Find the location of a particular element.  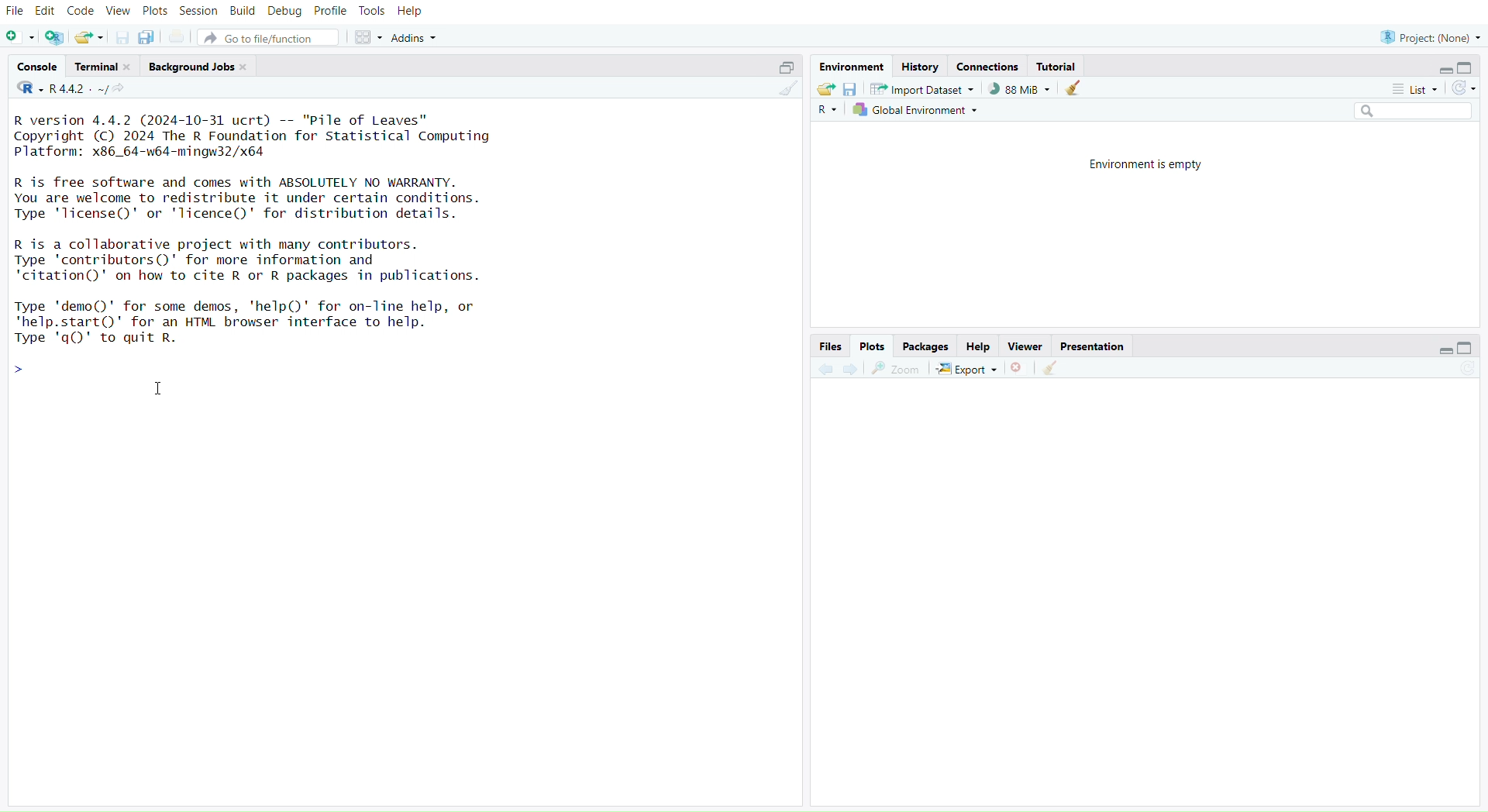

collapse is located at coordinates (1467, 347).